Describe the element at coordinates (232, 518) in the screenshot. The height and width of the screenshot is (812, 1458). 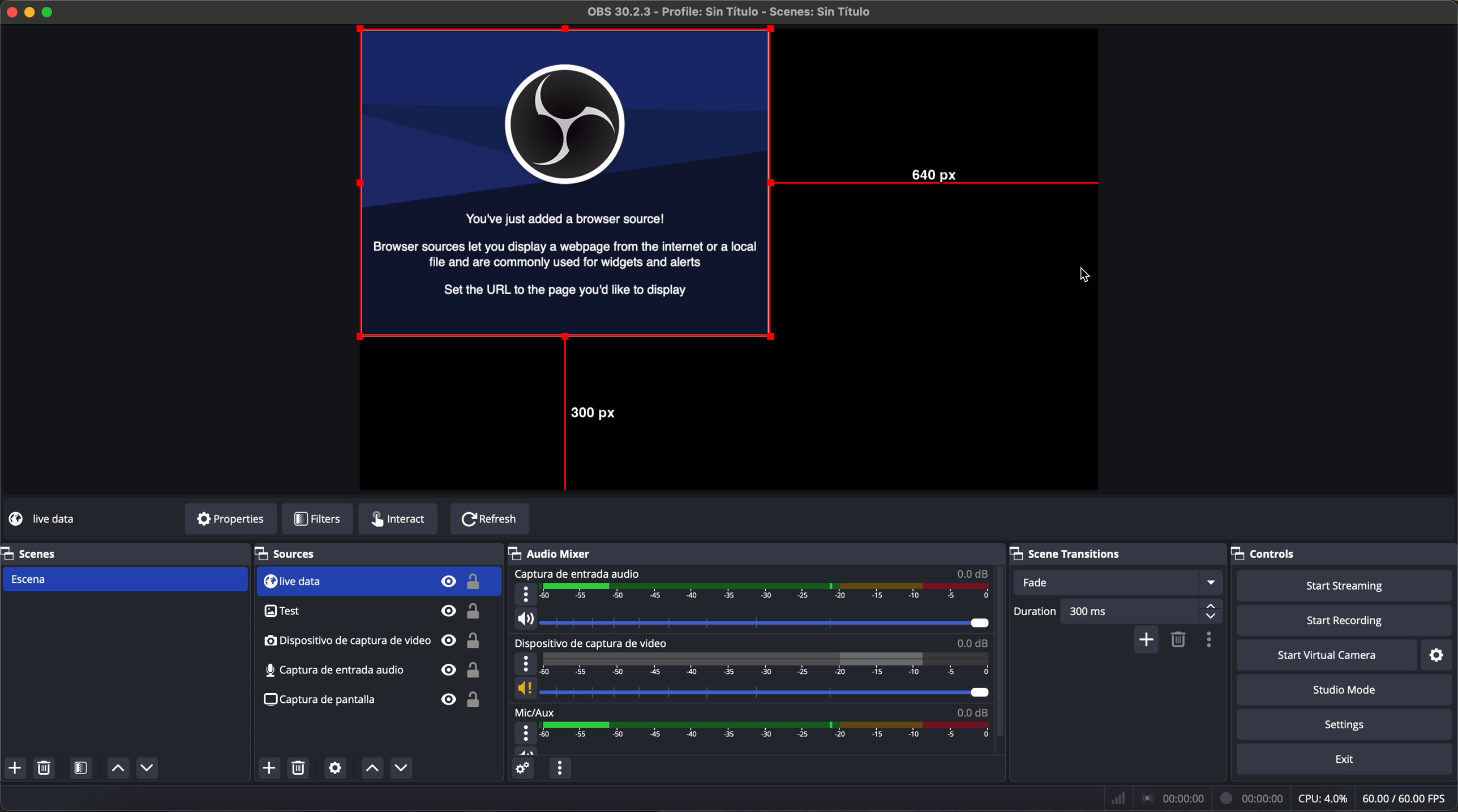
I see `properties` at that location.